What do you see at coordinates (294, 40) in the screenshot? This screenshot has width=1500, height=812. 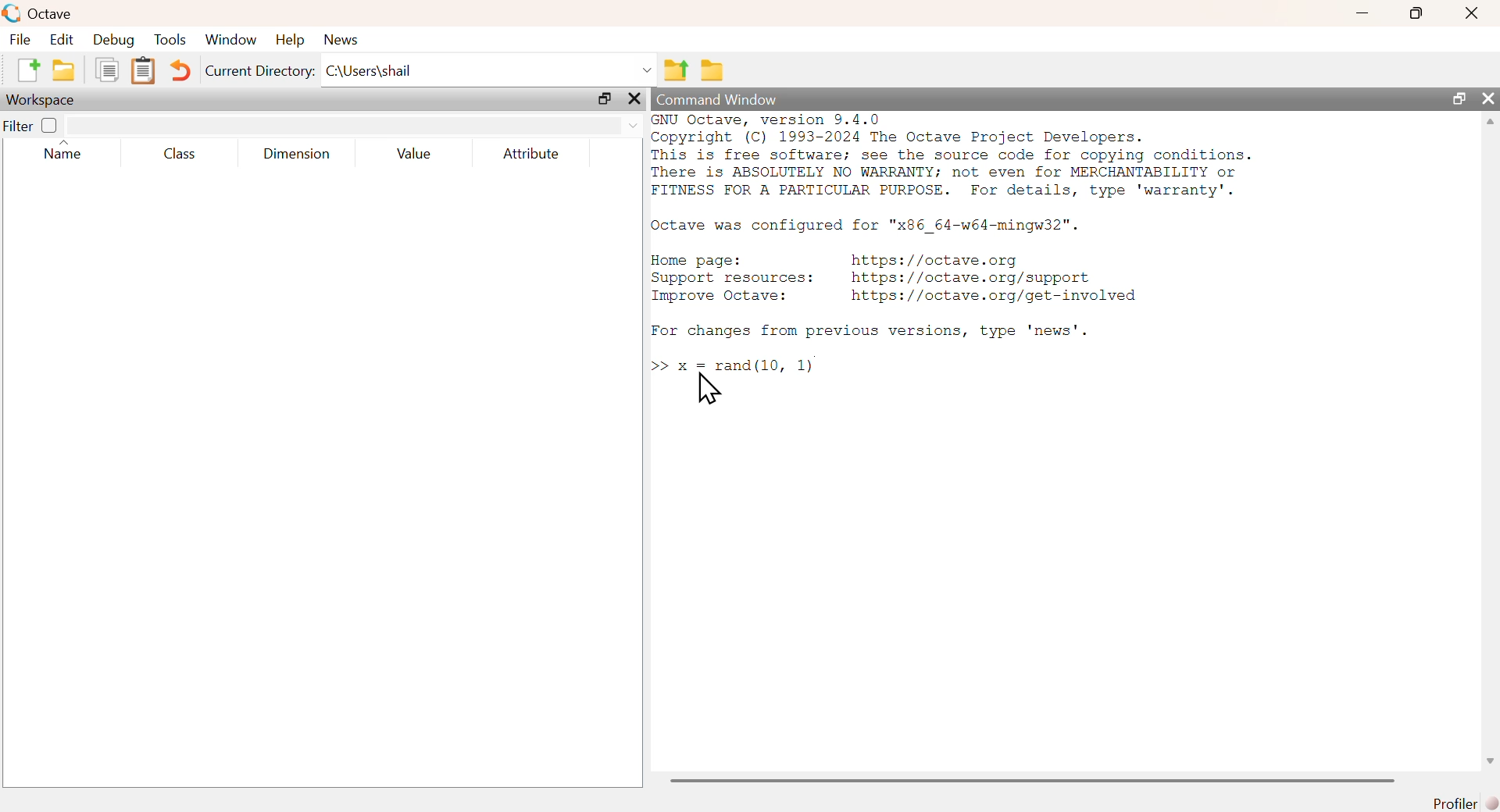 I see `help` at bounding box center [294, 40].